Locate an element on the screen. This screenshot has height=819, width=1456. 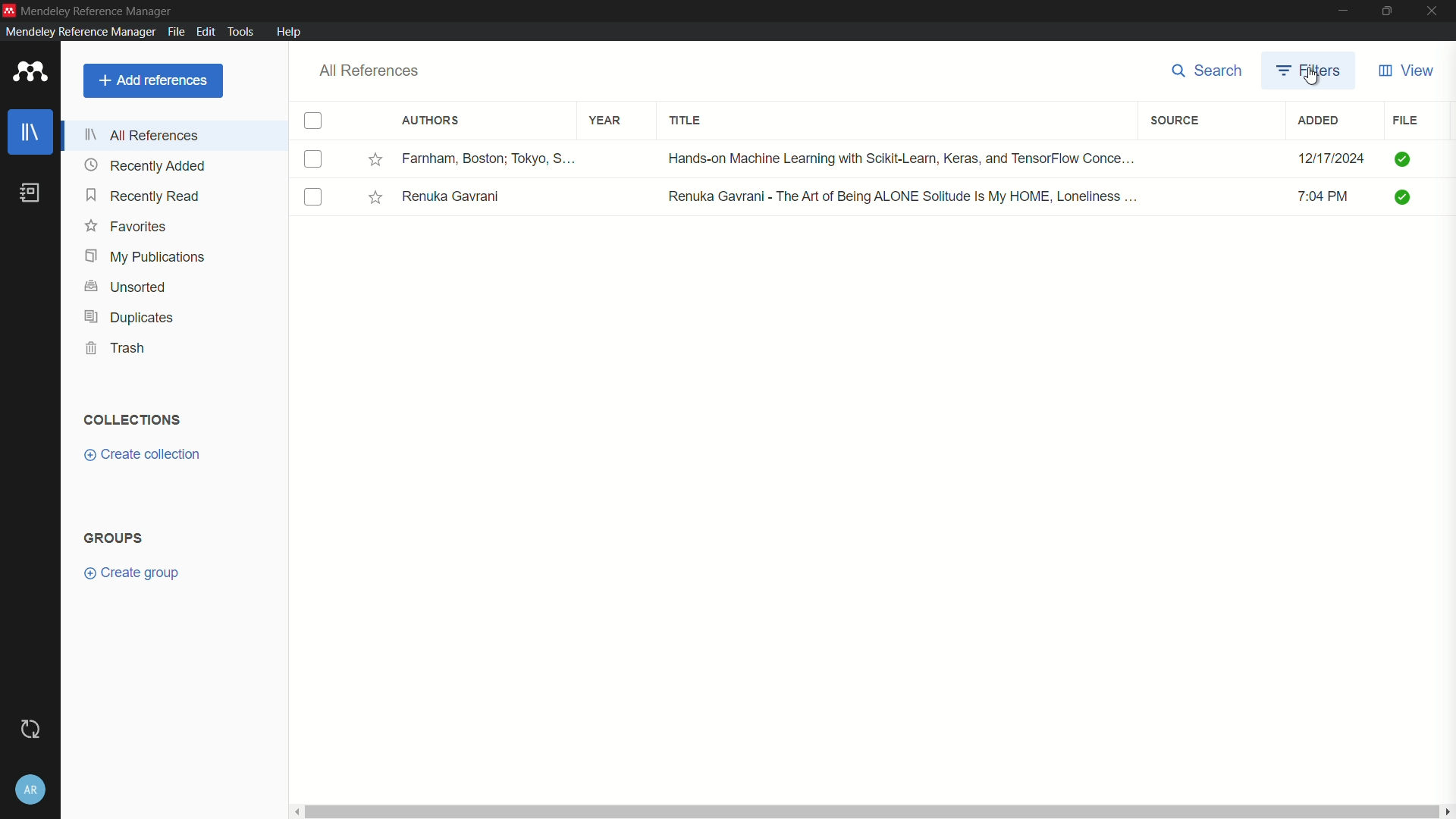
Checked symbol is located at coordinates (1403, 197).